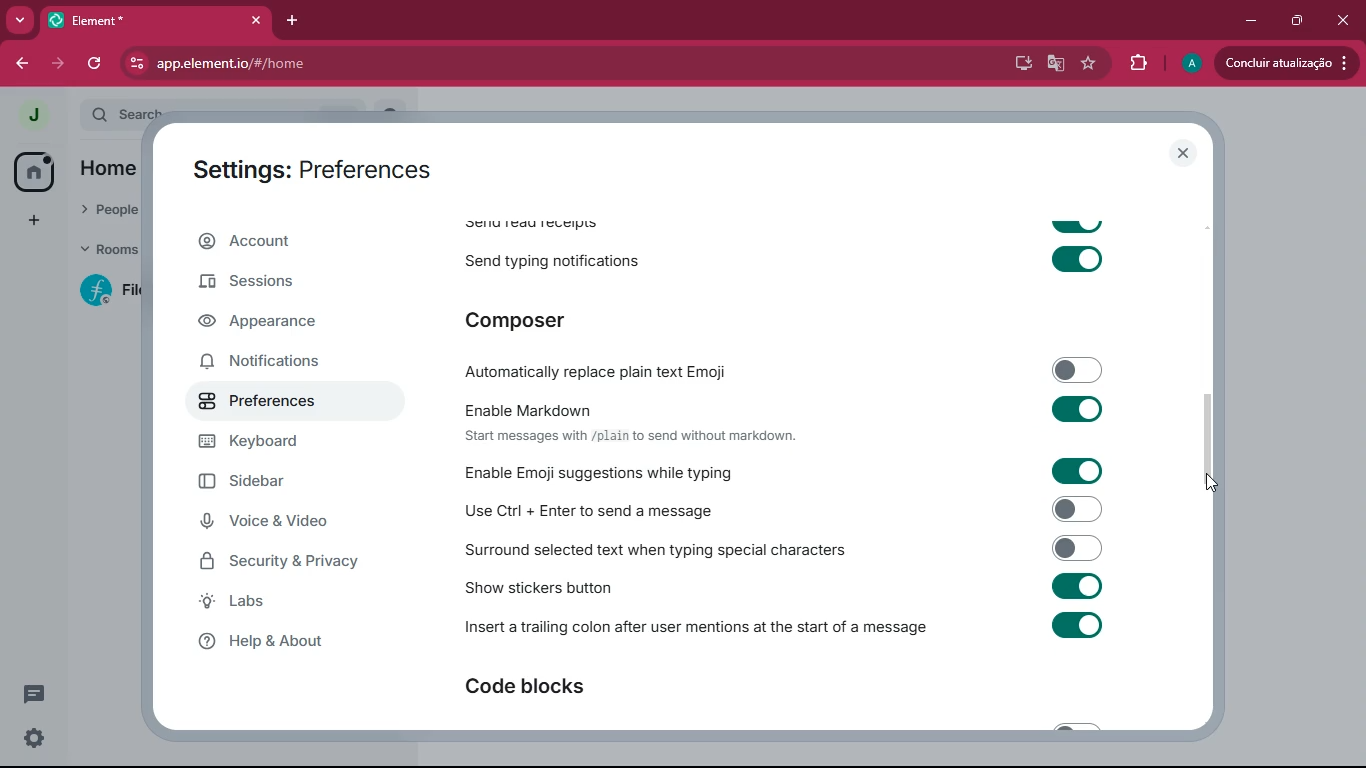  What do you see at coordinates (809, 509) in the screenshot?
I see `enable ctrl enter` at bounding box center [809, 509].